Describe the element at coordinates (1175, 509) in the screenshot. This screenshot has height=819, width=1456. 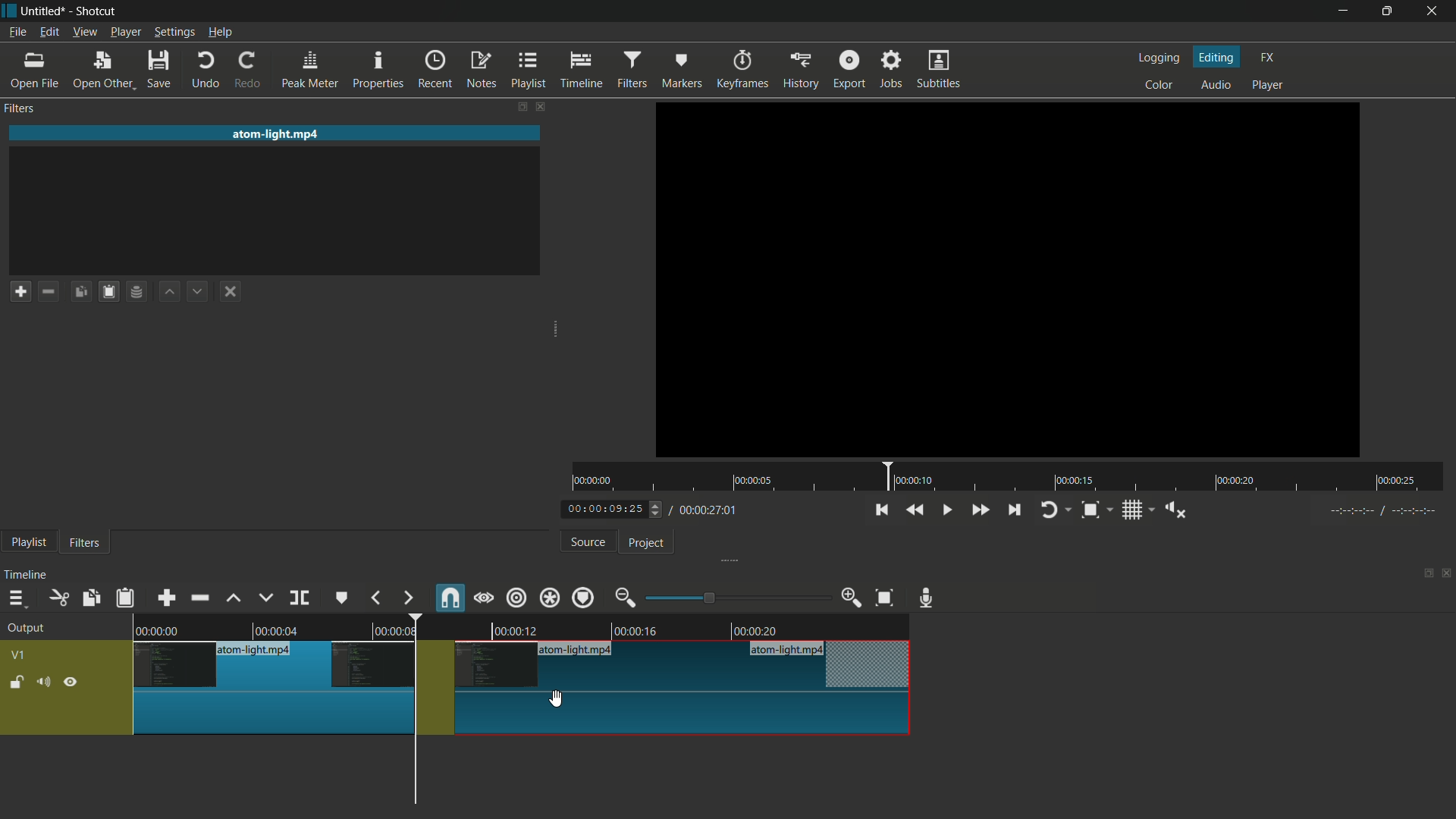
I see `show volume control` at that location.